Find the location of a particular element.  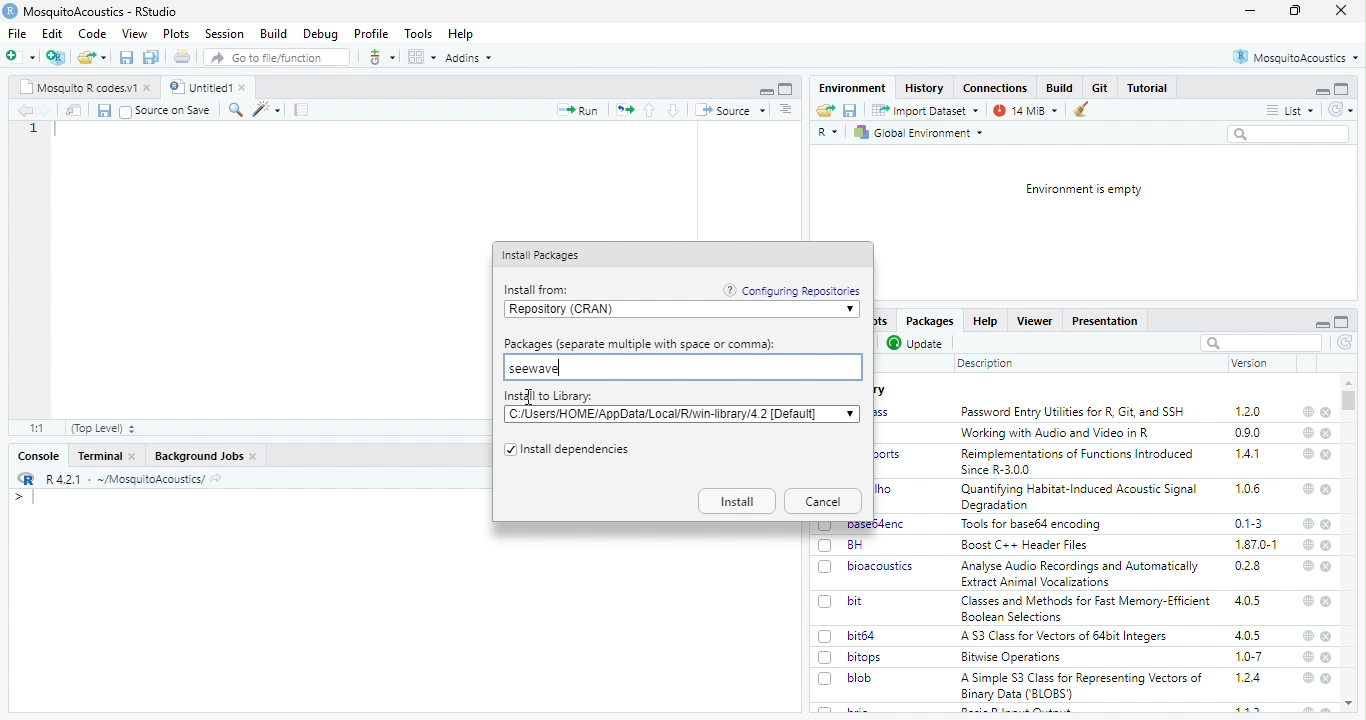

Edit is located at coordinates (54, 33).